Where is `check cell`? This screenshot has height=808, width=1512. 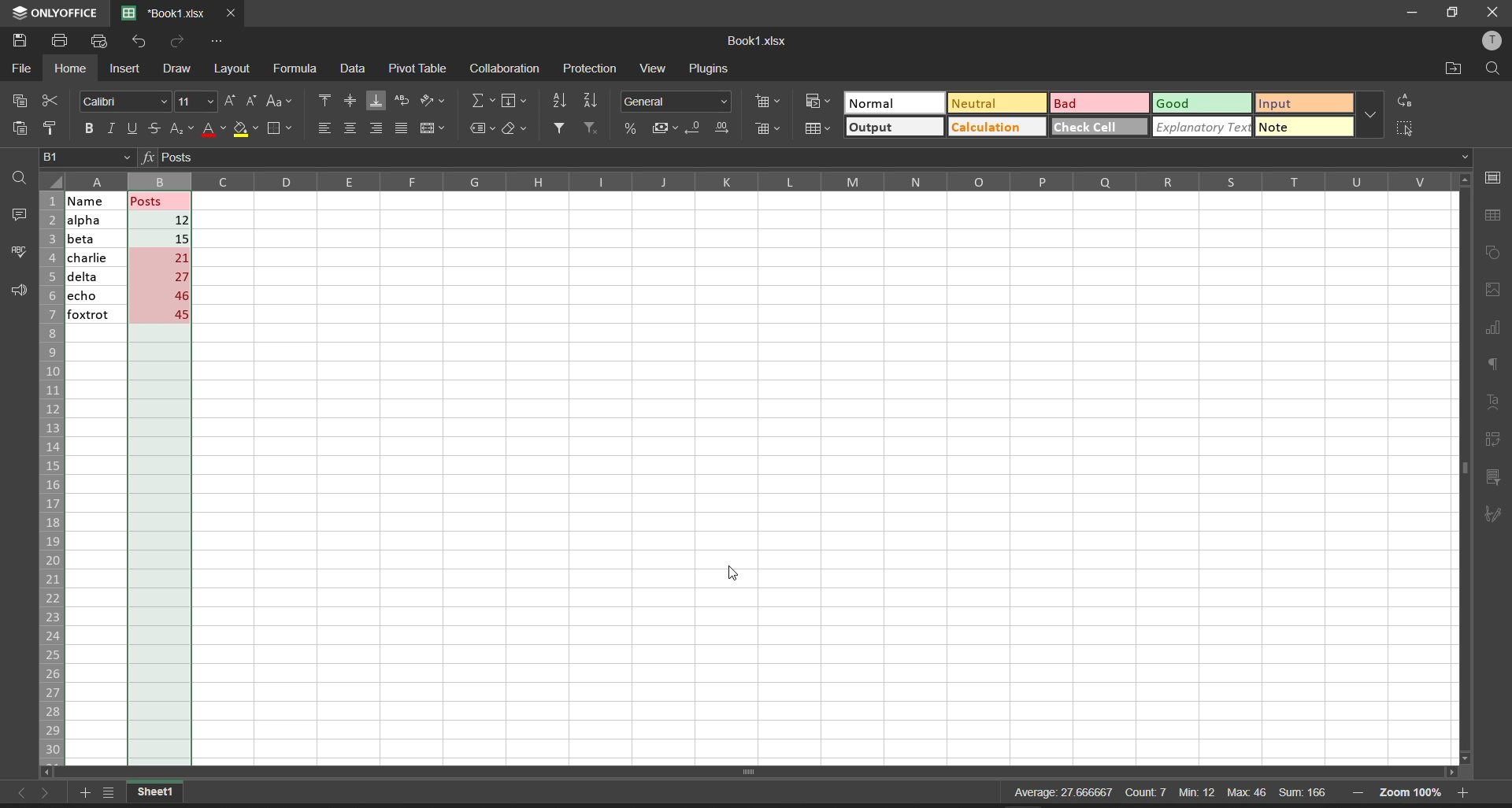 check cell is located at coordinates (1091, 129).